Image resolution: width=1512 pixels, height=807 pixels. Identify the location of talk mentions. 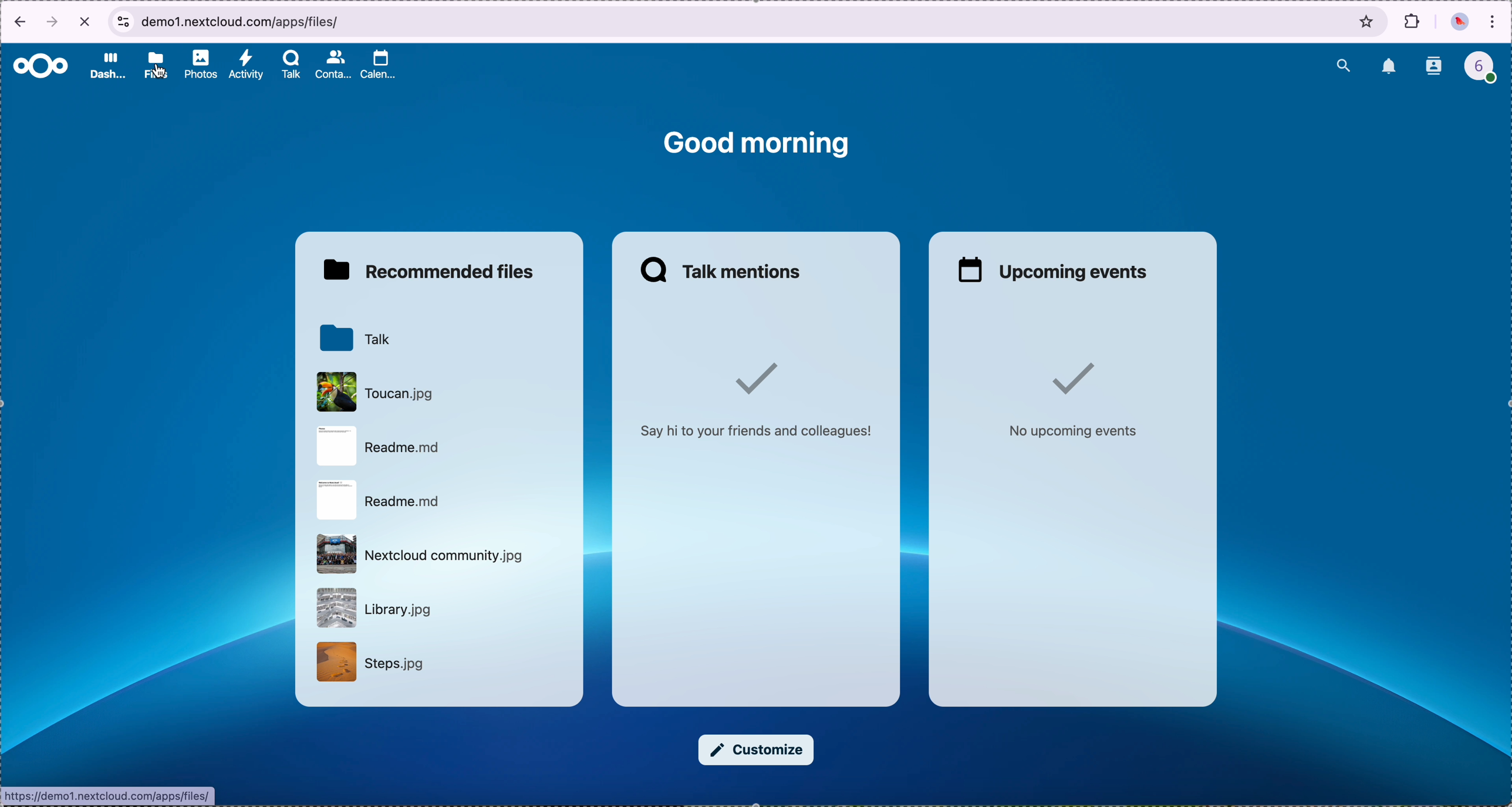
(723, 271).